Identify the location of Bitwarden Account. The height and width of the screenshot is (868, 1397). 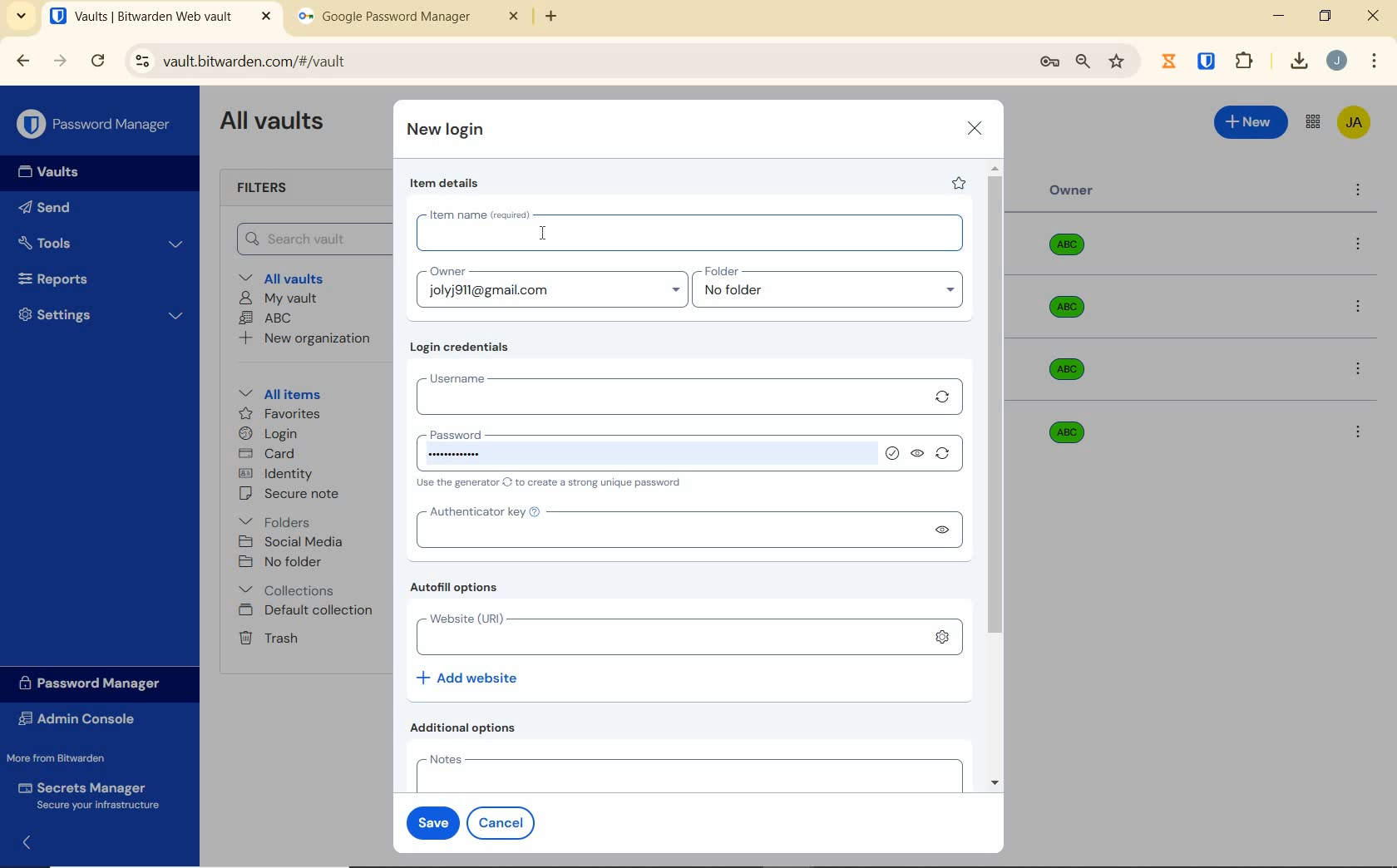
(1354, 124).